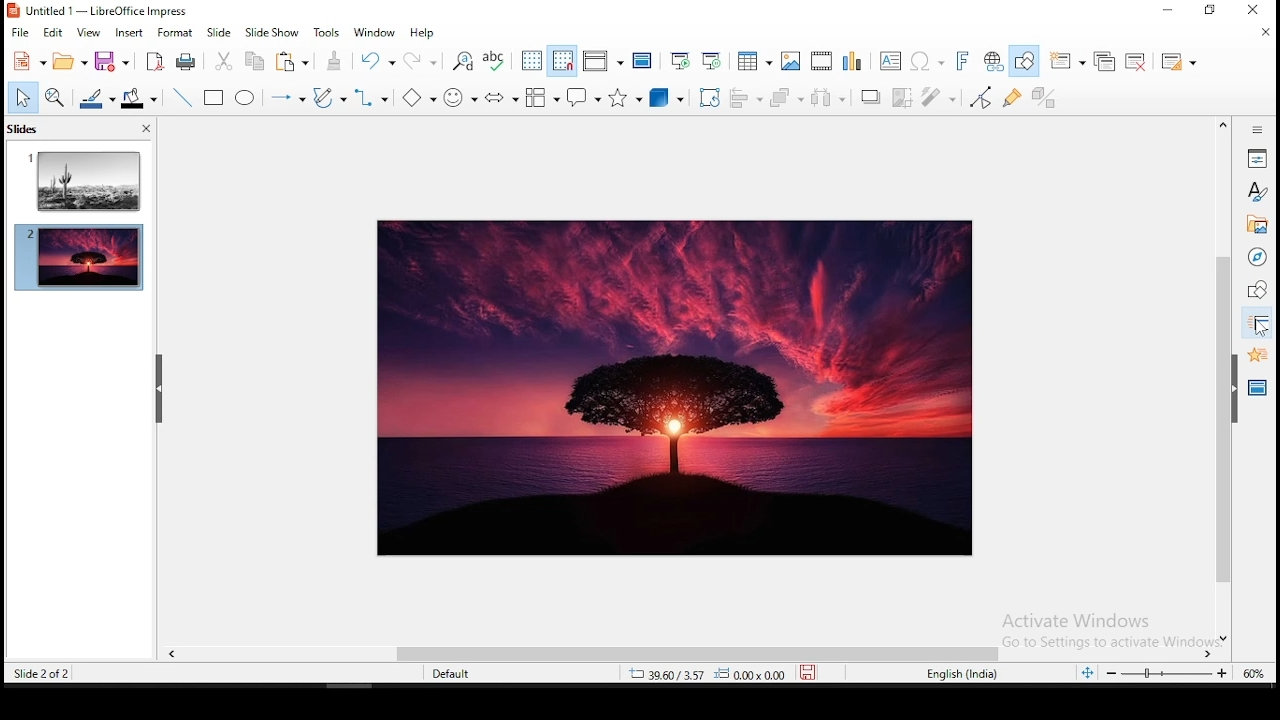 The width and height of the screenshot is (1280, 720). What do you see at coordinates (531, 63) in the screenshot?
I see `show grid` at bounding box center [531, 63].